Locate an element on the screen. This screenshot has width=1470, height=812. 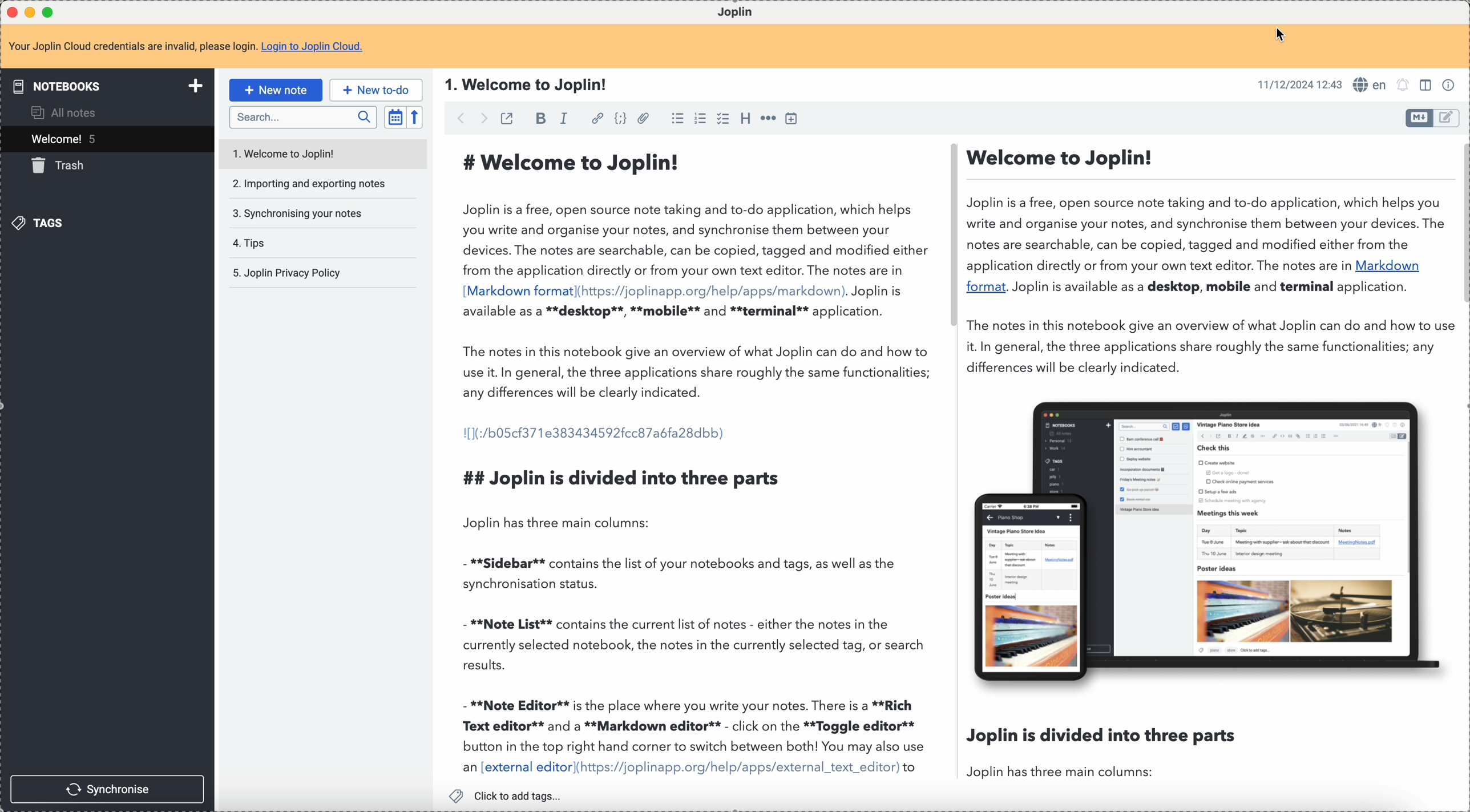
notebooks is located at coordinates (105, 86).